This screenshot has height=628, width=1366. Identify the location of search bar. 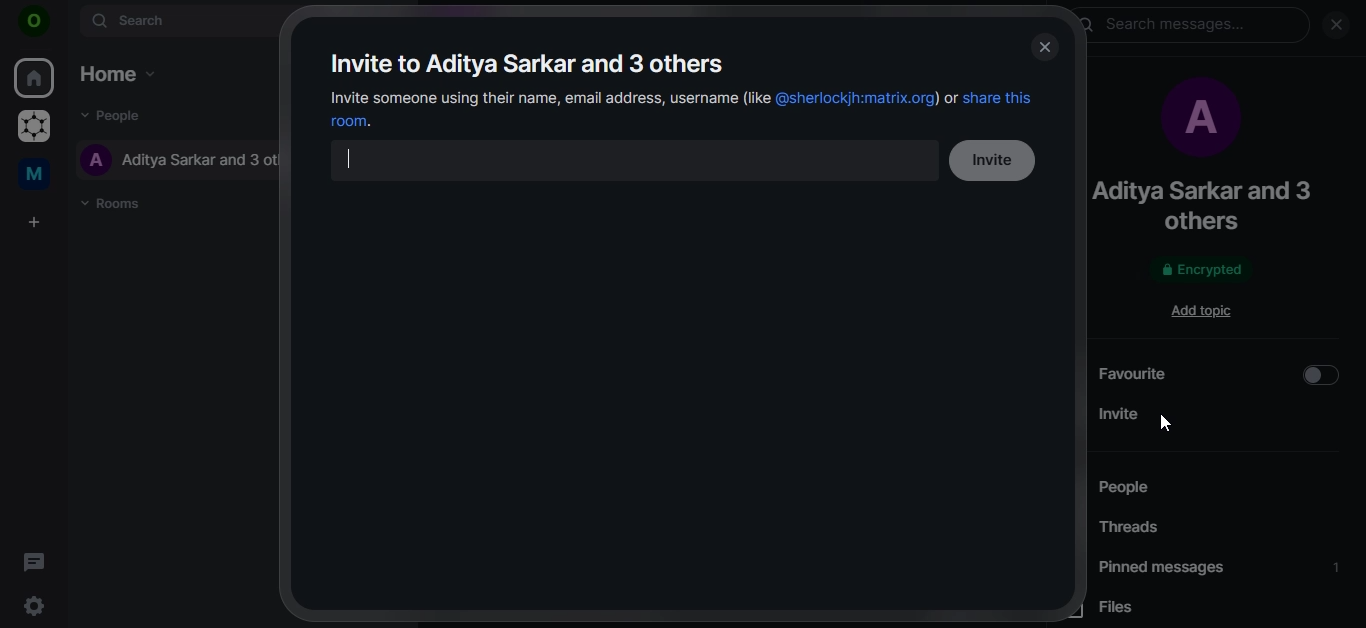
(631, 161).